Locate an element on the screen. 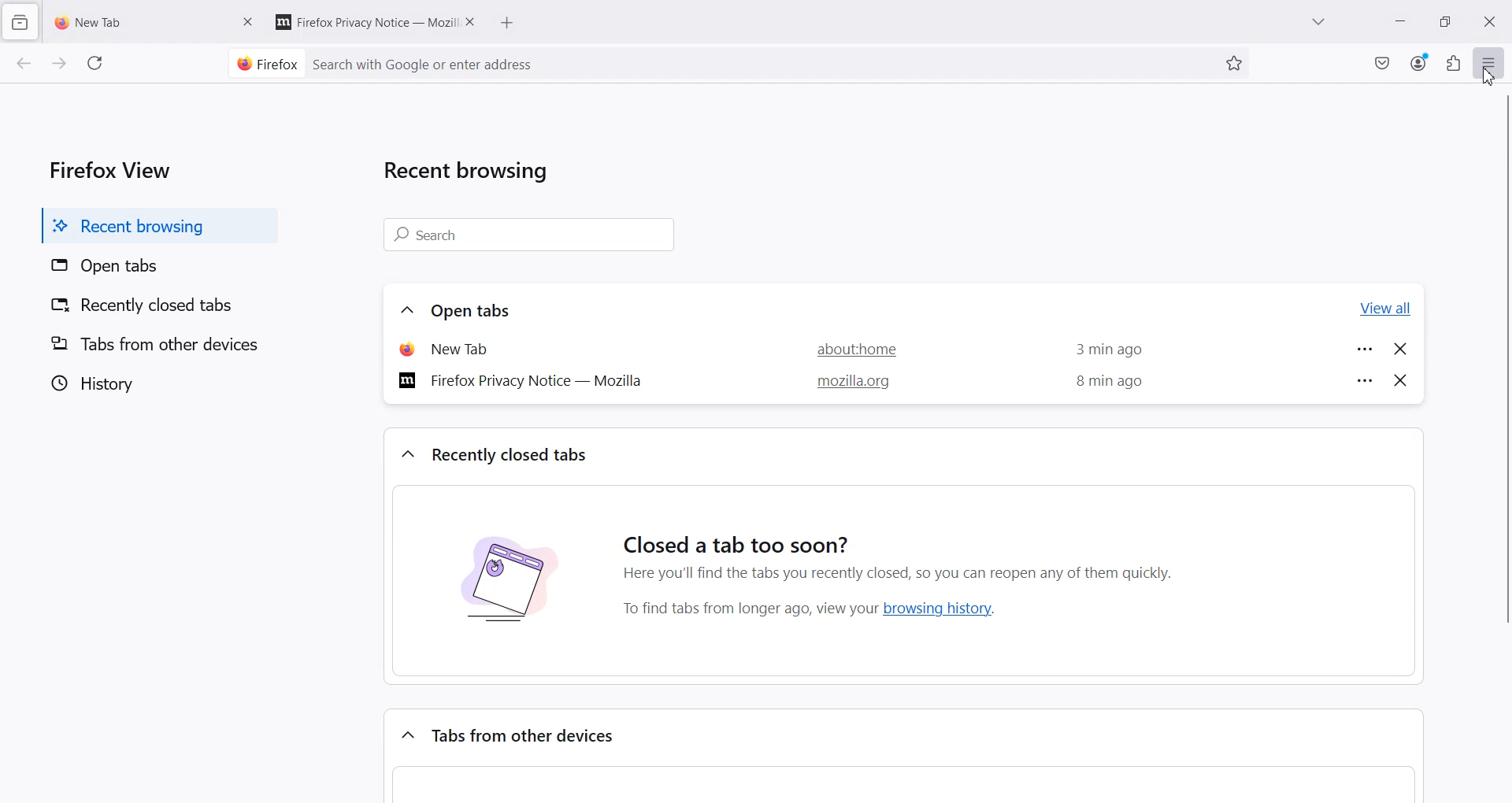  Open tabs is located at coordinates (475, 310).